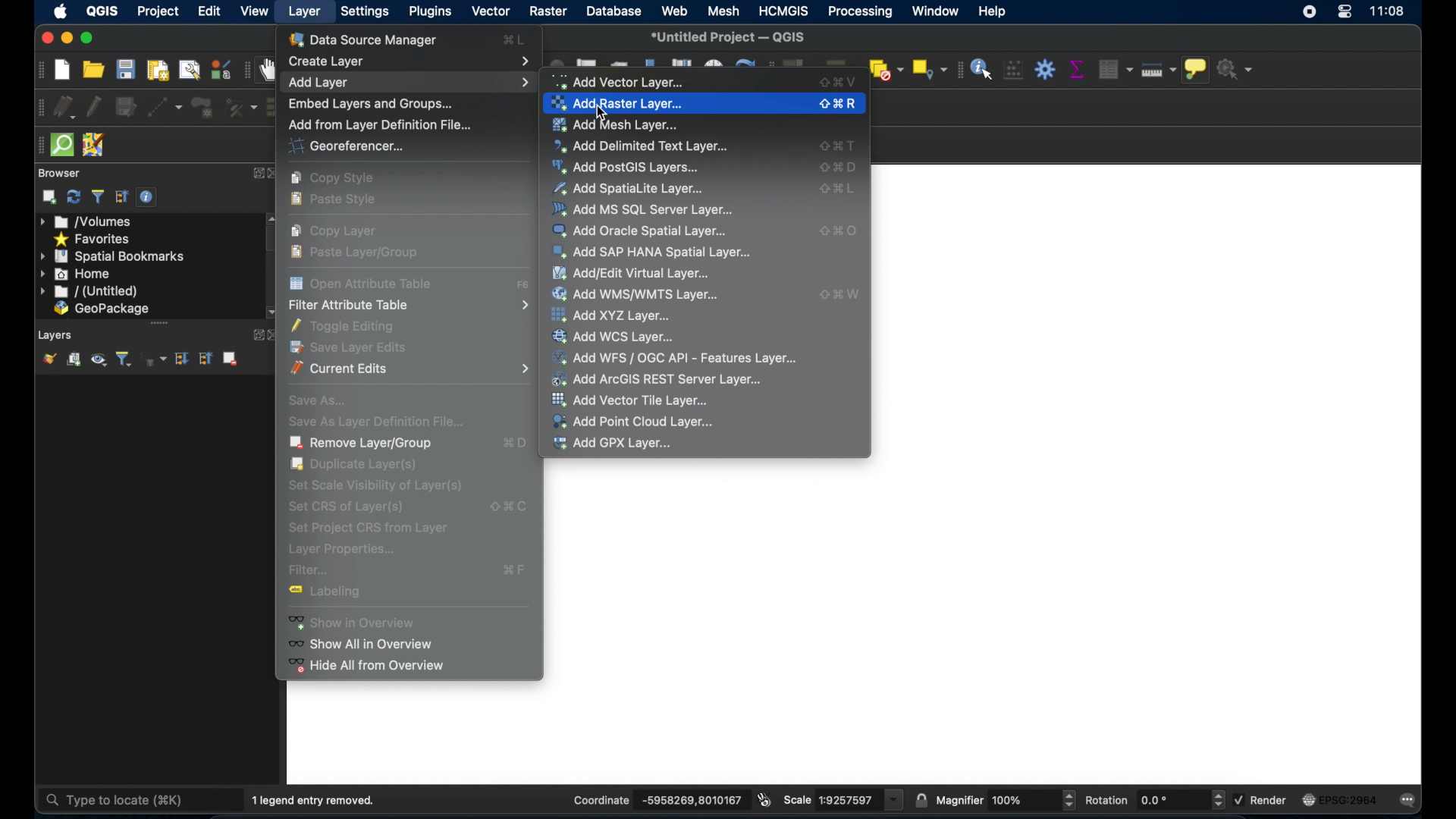 This screenshot has height=819, width=1456. I want to click on hide all from overview, so click(367, 669).